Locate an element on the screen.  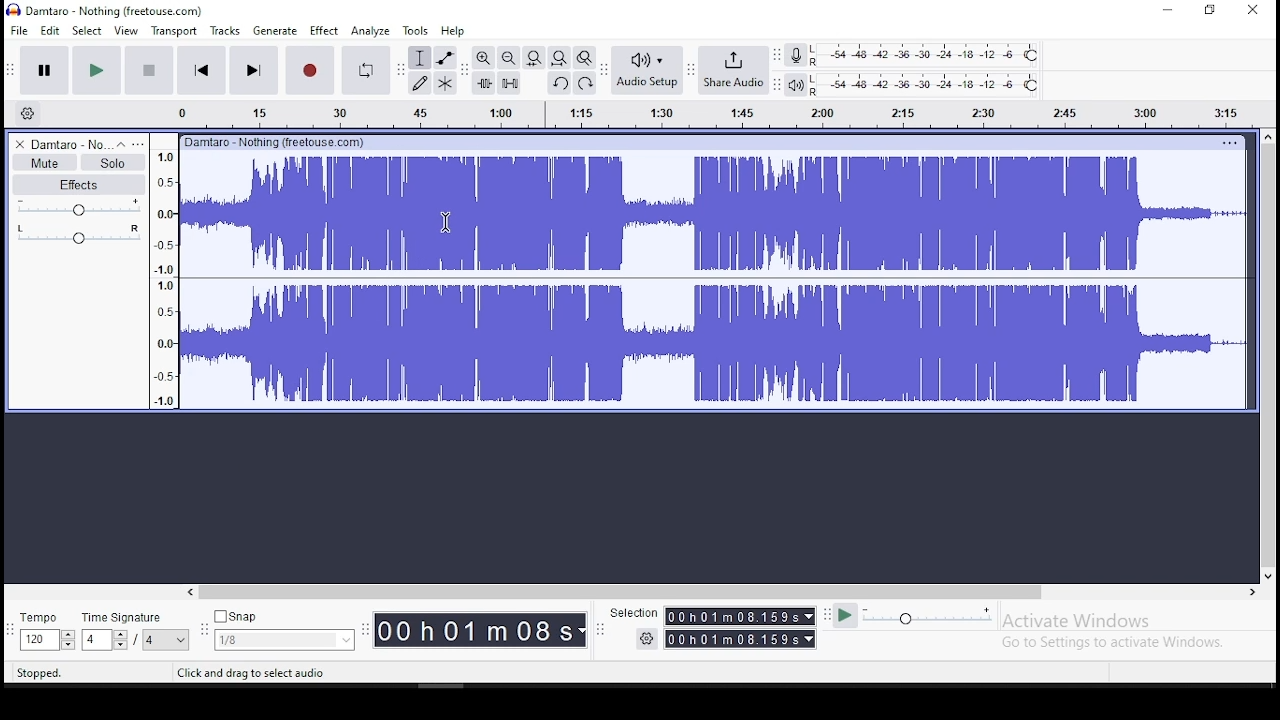
generate is located at coordinates (275, 32).